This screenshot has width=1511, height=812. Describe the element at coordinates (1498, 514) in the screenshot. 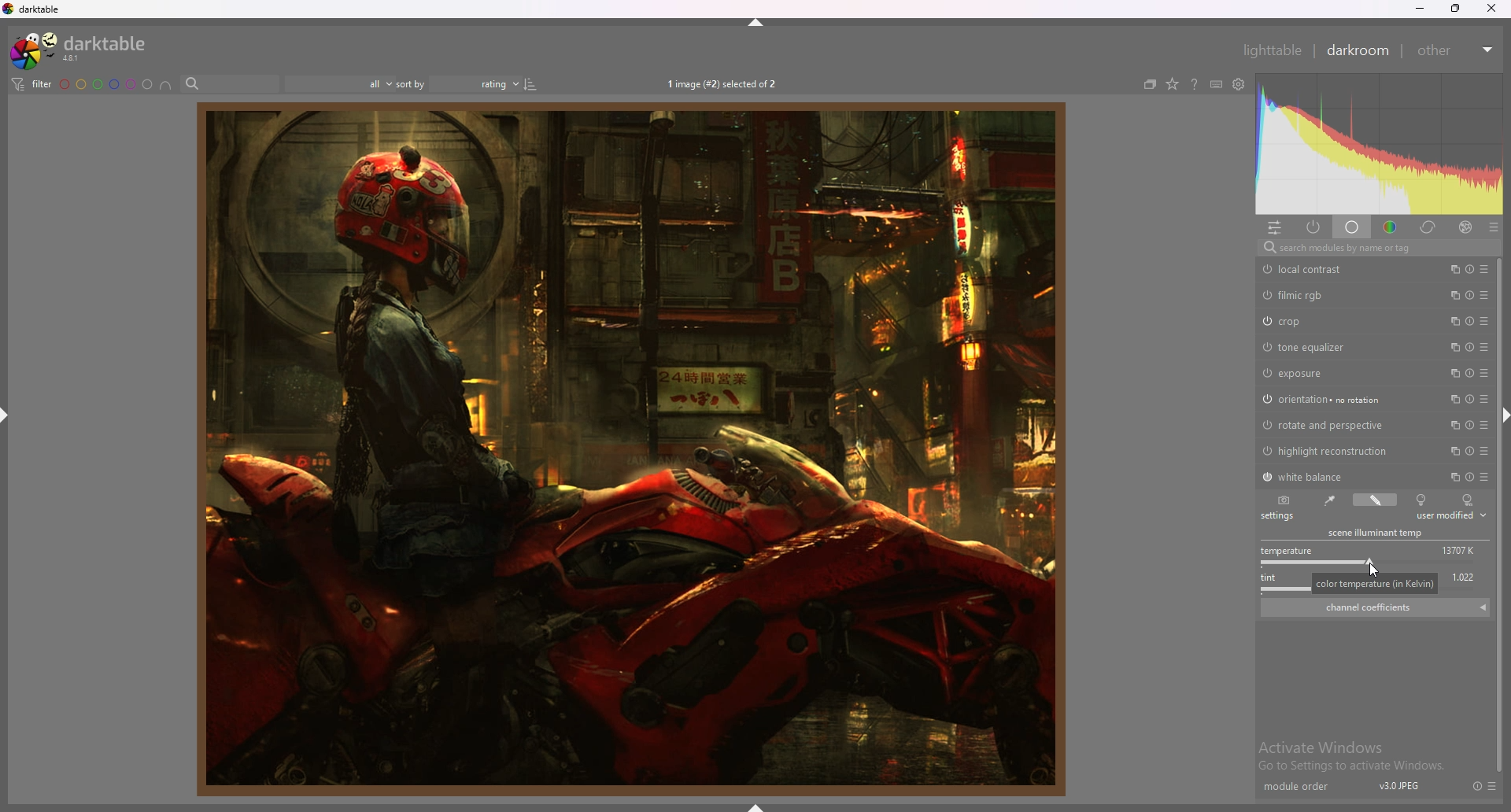

I see `scroll bar` at that location.